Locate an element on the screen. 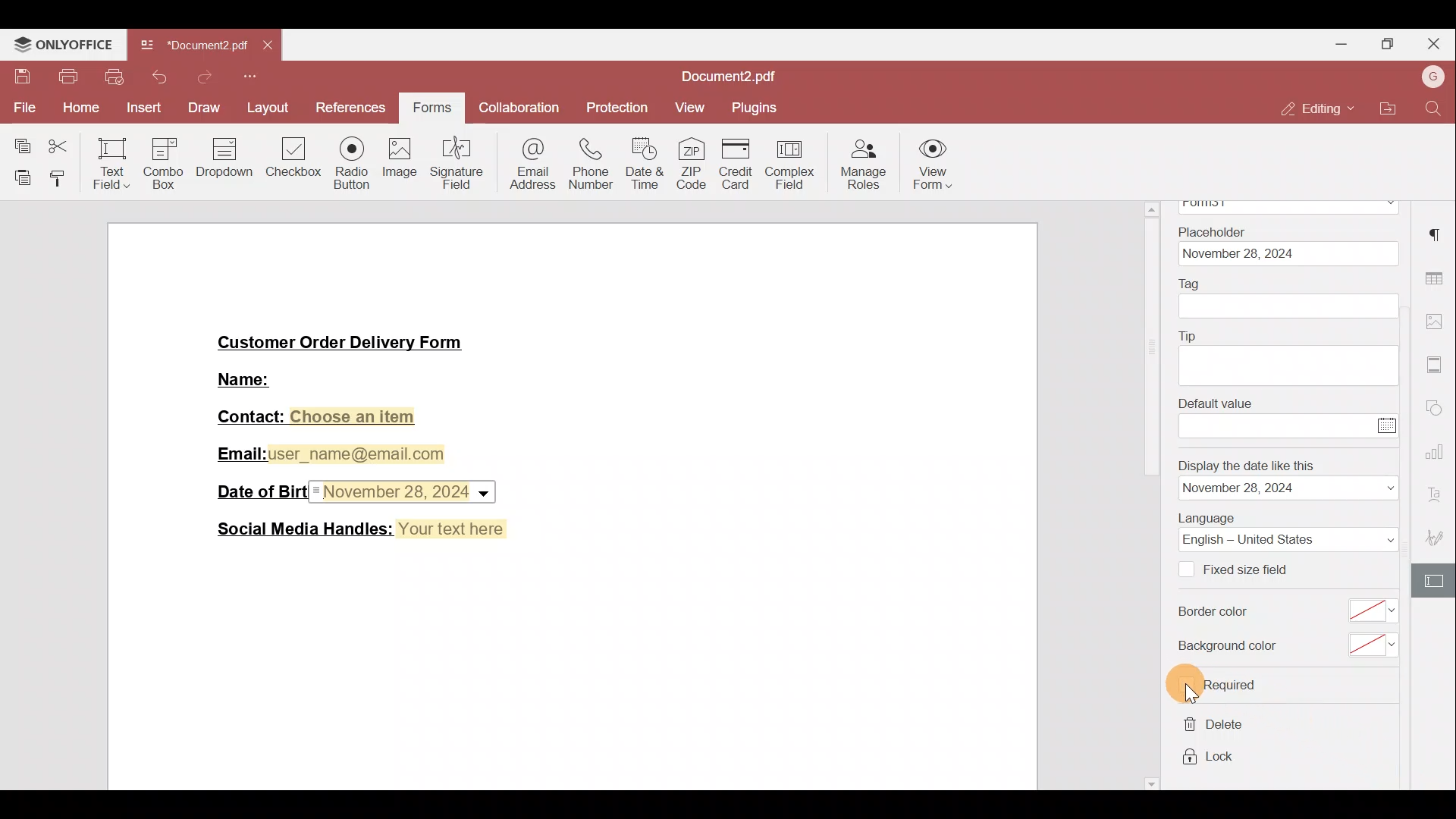  select border color is located at coordinates (1373, 610).